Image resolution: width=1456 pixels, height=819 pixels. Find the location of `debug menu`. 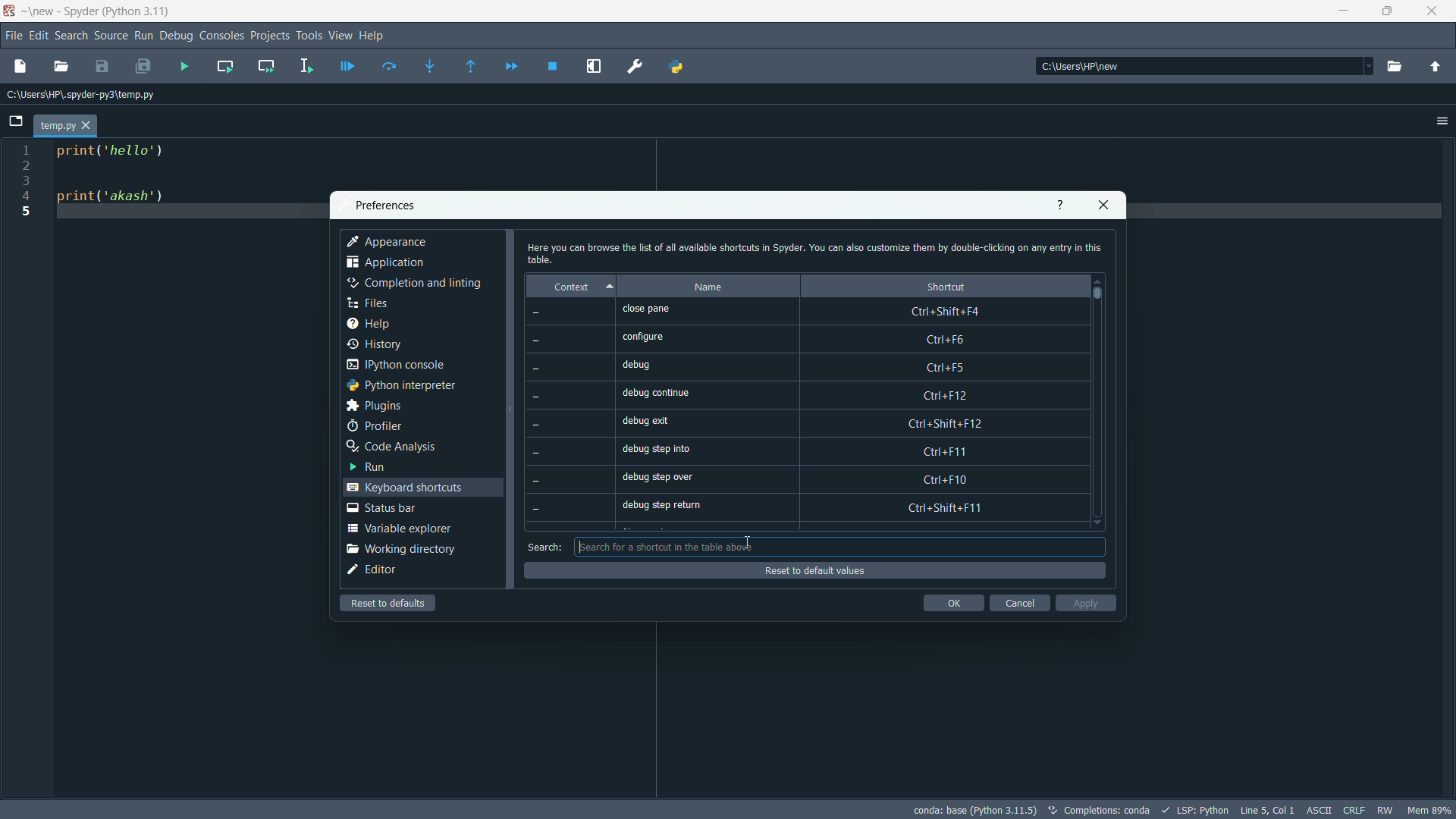

debug menu is located at coordinates (177, 34).